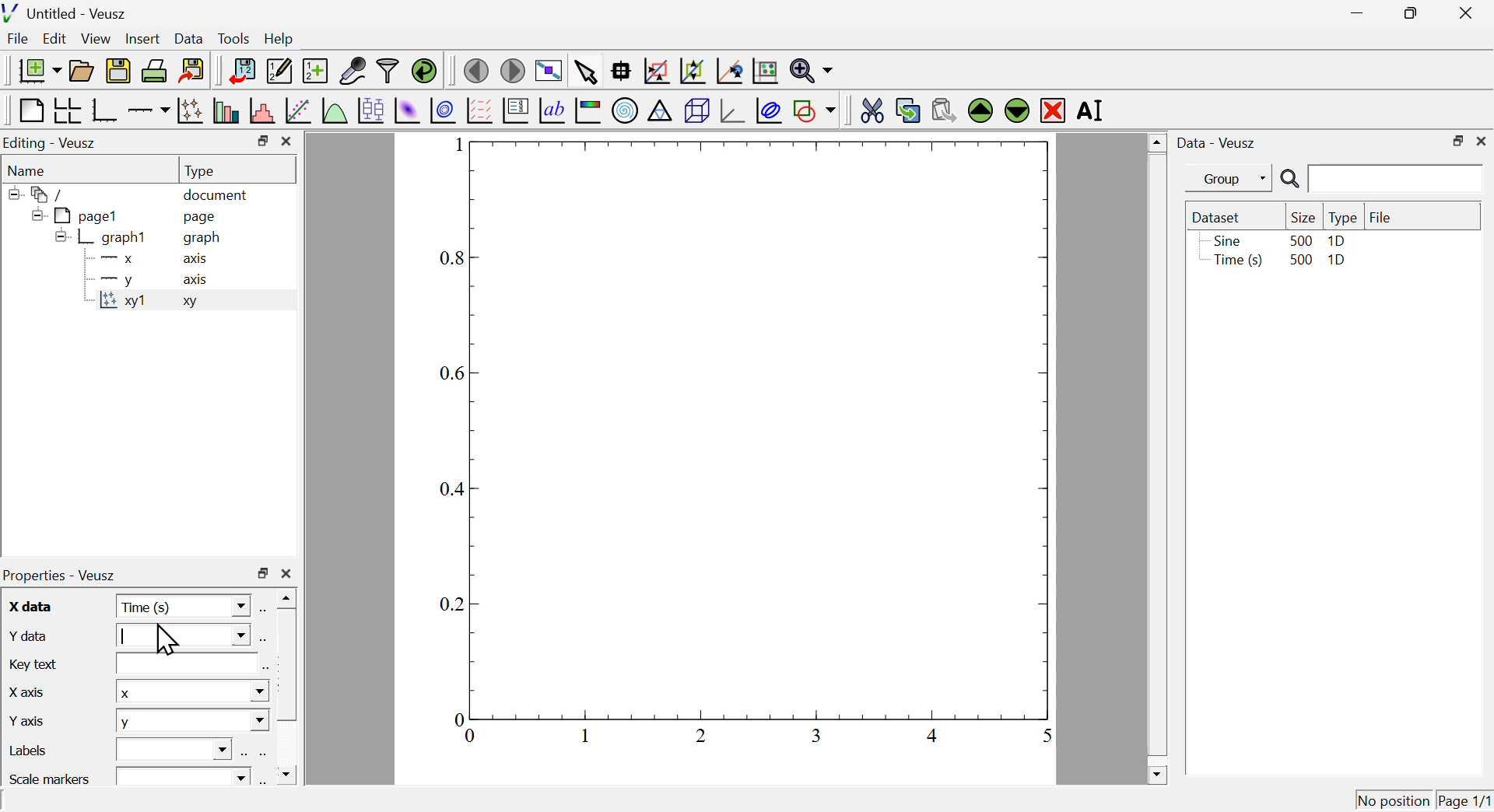 This screenshot has height=812, width=1494. Describe the element at coordinates (149, 110) in the screenshot. I see `add an axis to the plot` at that location.